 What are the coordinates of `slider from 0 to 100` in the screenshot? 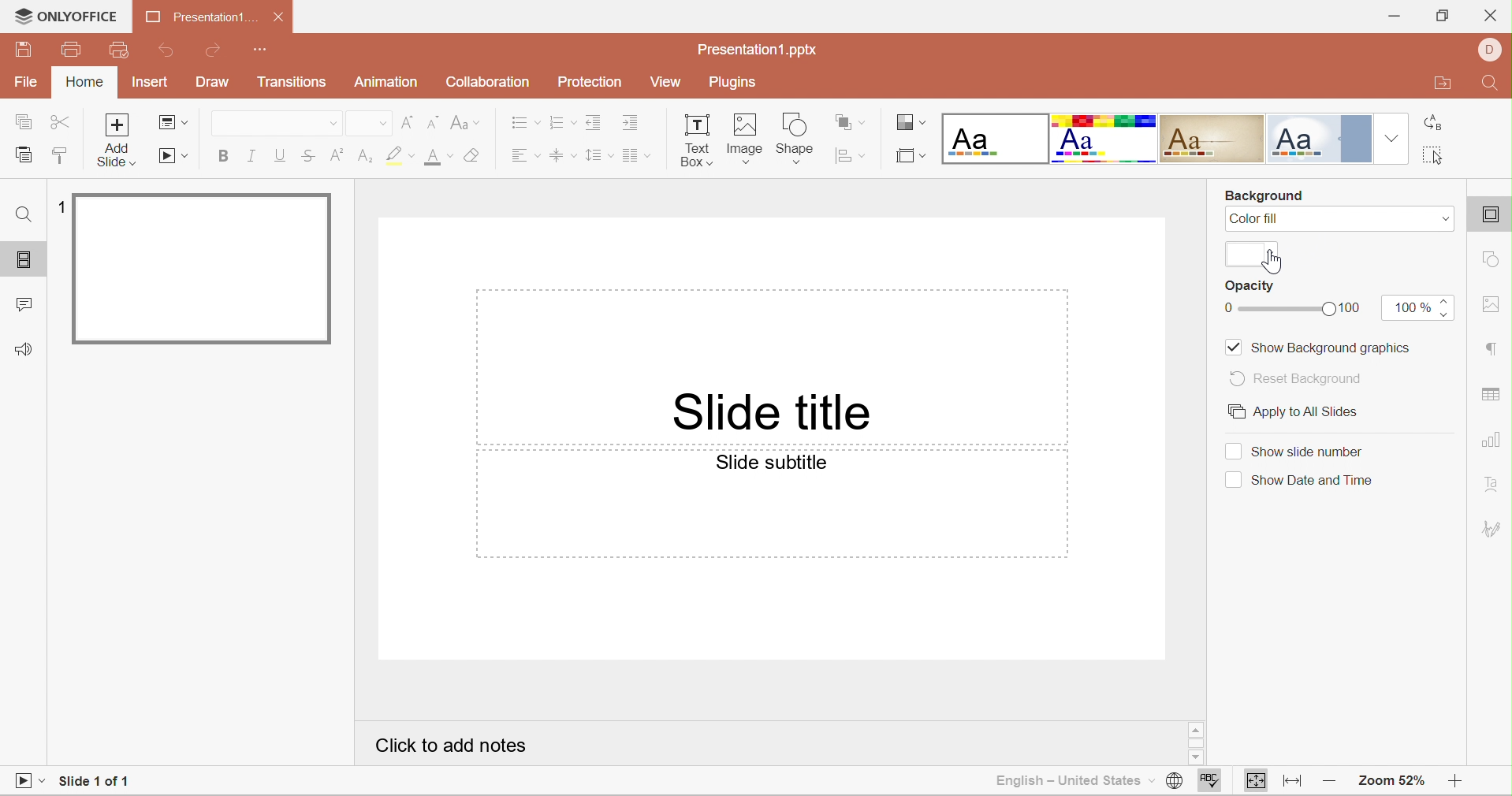 It's located at (1292, 307).